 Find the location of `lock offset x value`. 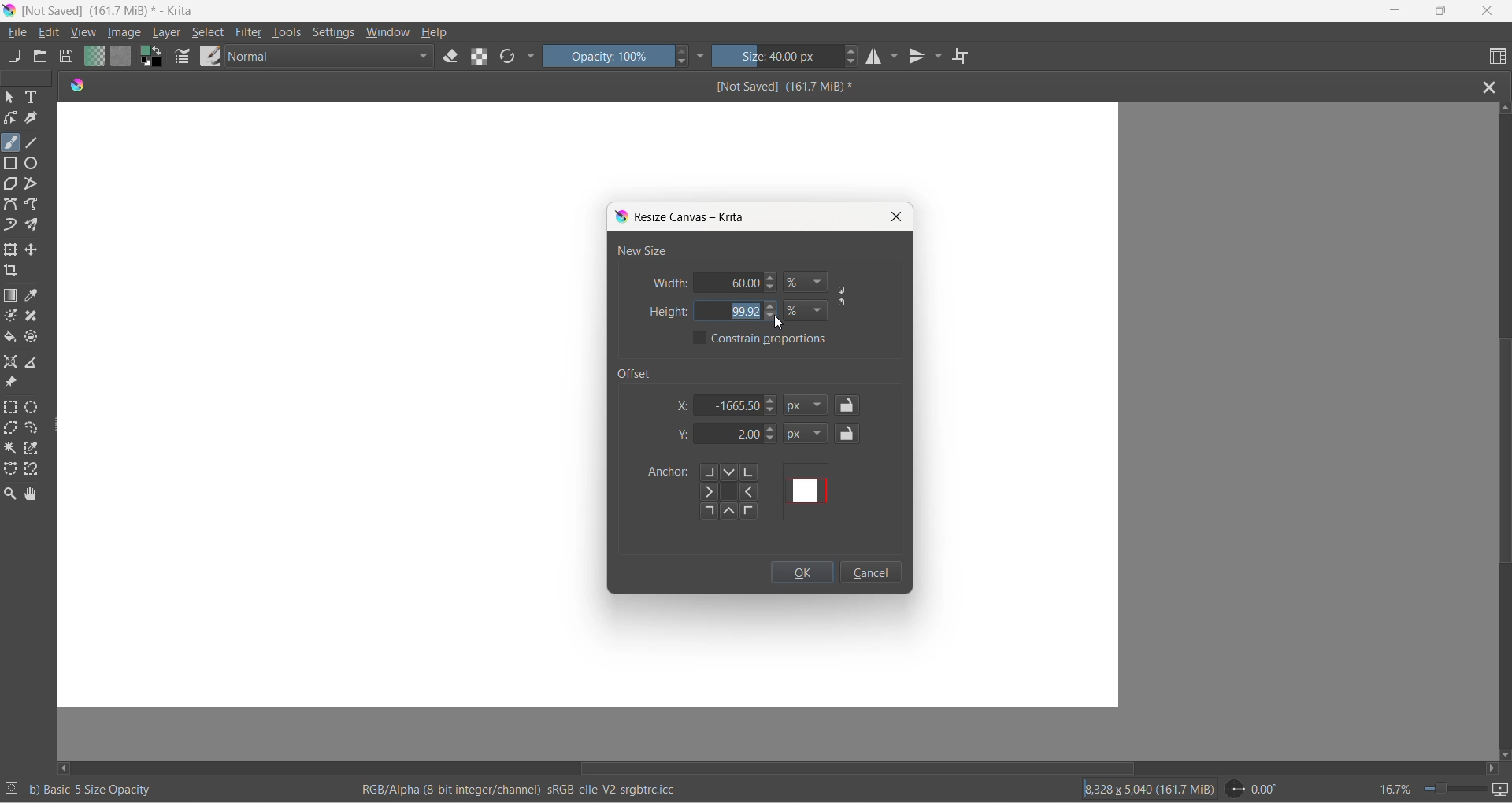

lock offset x value is located at coordinates (848, 405).